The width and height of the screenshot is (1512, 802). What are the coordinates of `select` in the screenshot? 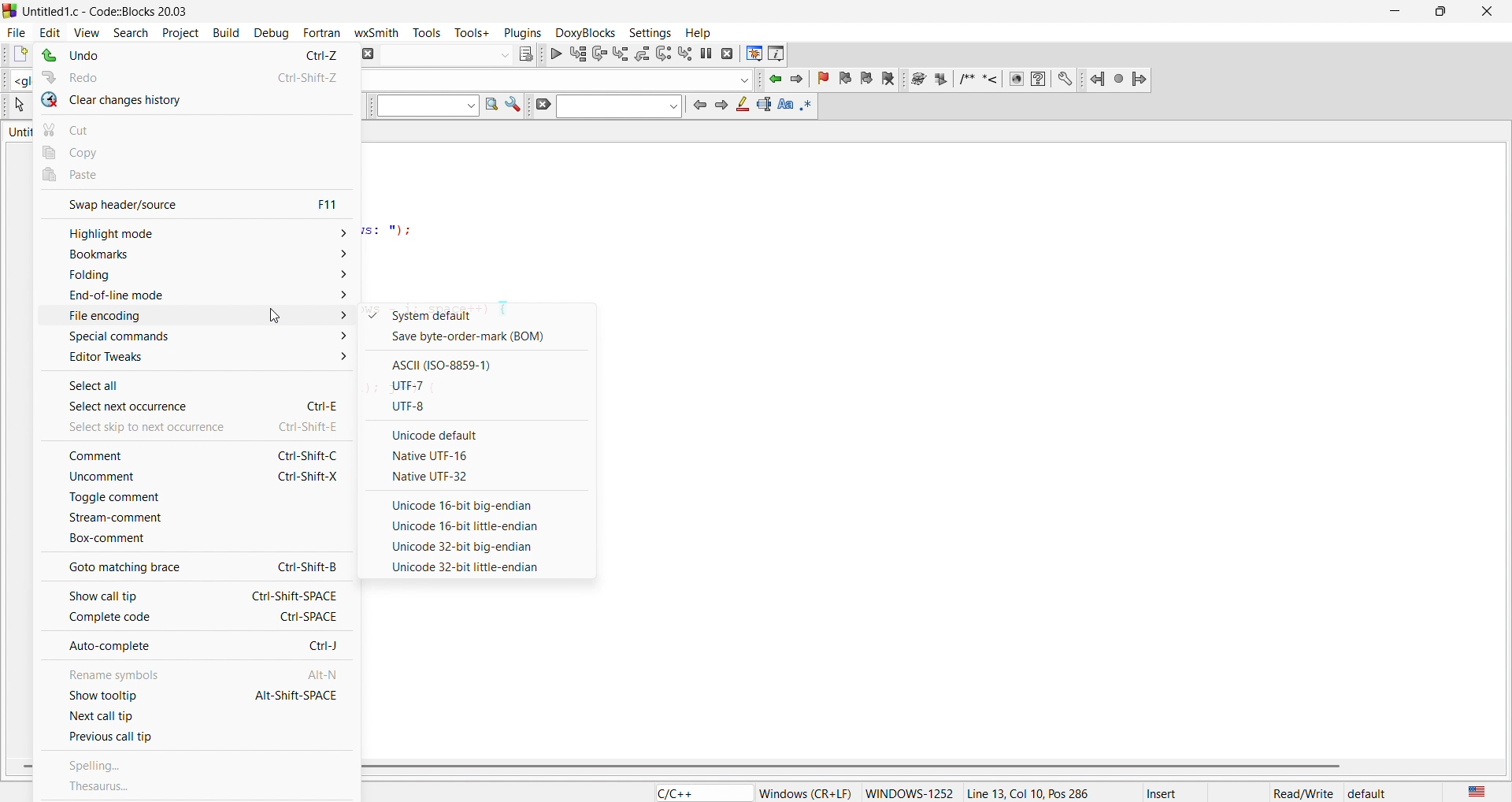 It's located at (18, 106).